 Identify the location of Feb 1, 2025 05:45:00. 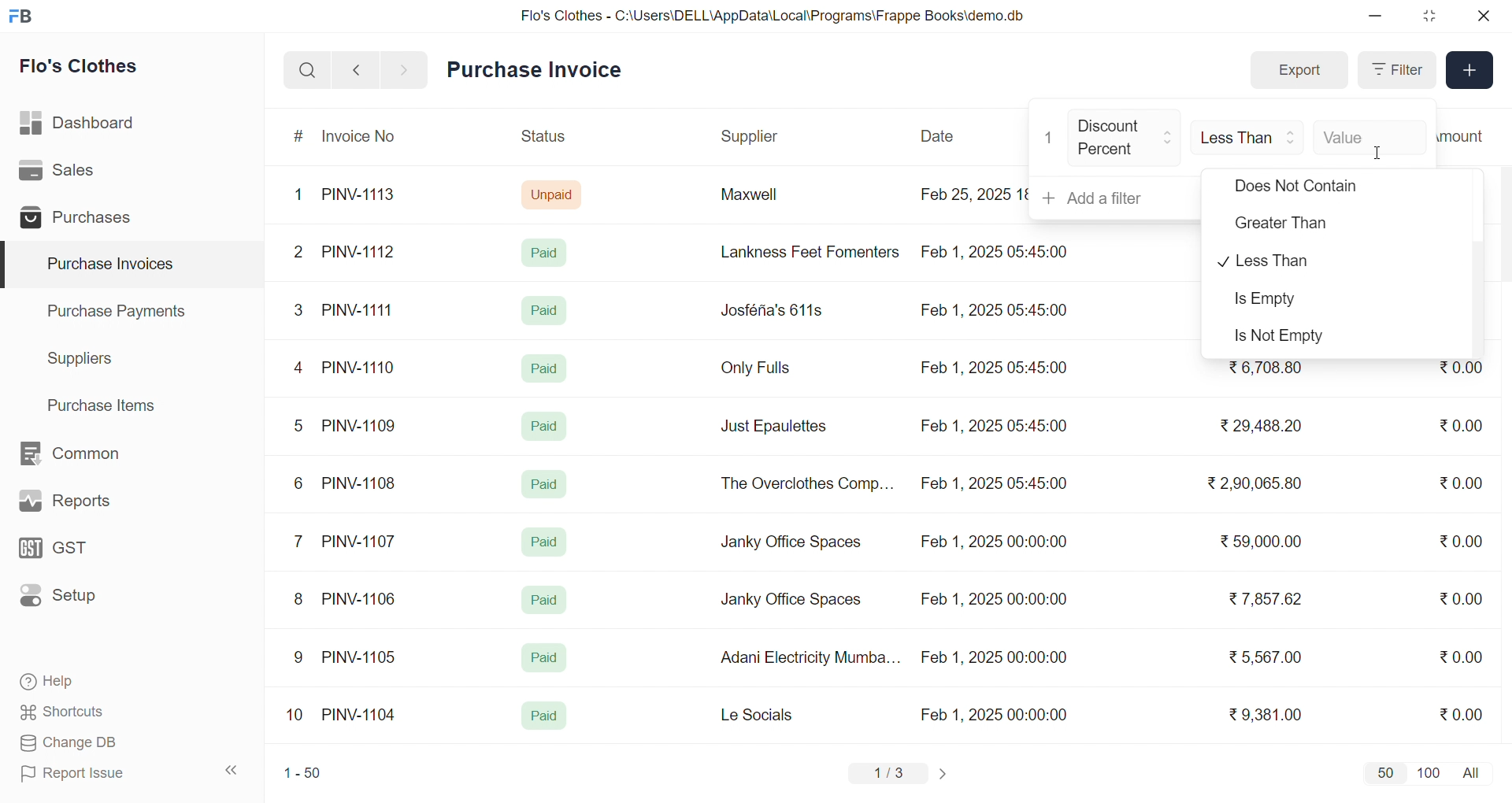
(993, 426).